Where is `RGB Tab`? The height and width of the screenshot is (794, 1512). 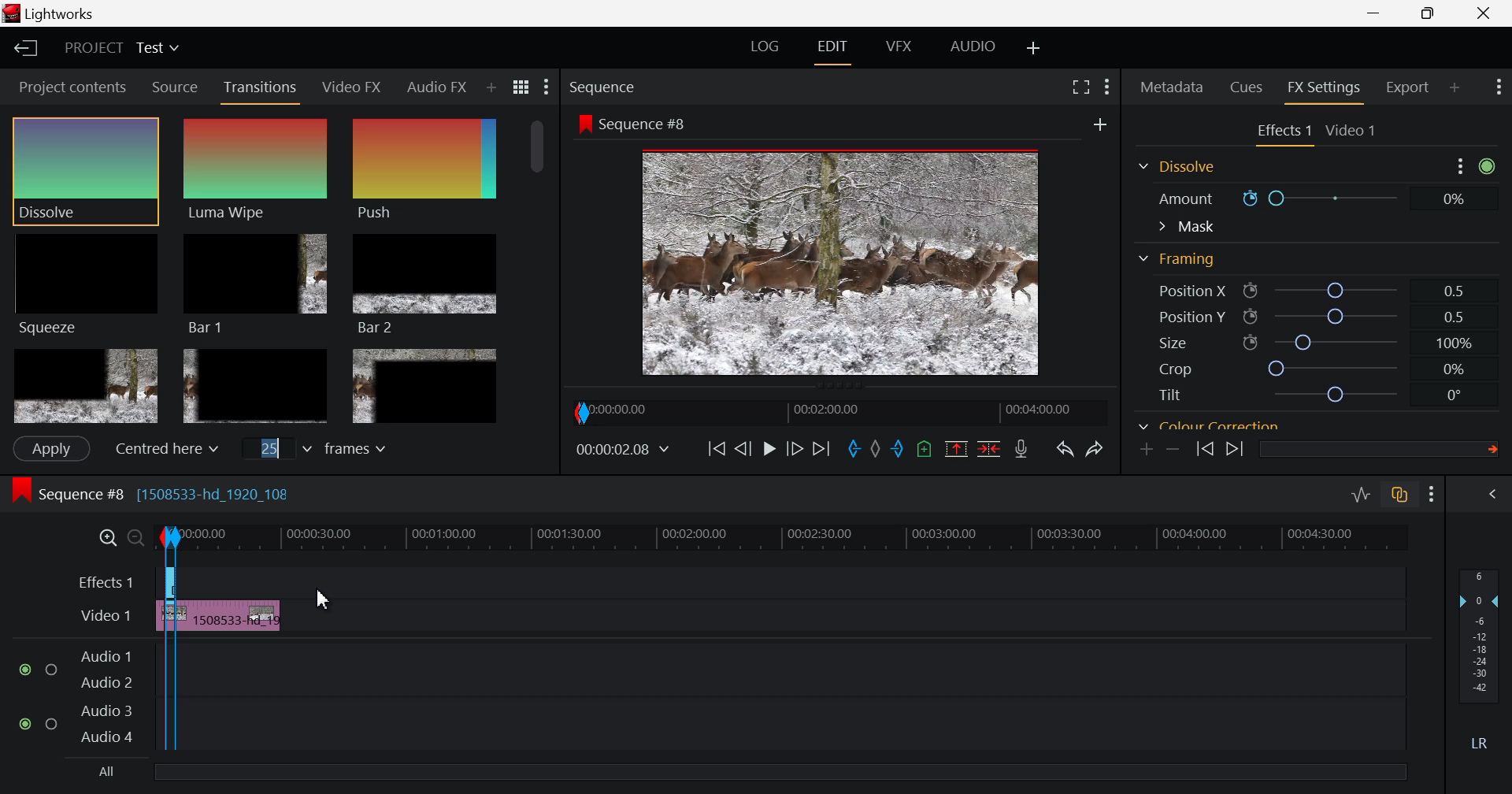 RGB Tab is located at coordinates (1347, 369).